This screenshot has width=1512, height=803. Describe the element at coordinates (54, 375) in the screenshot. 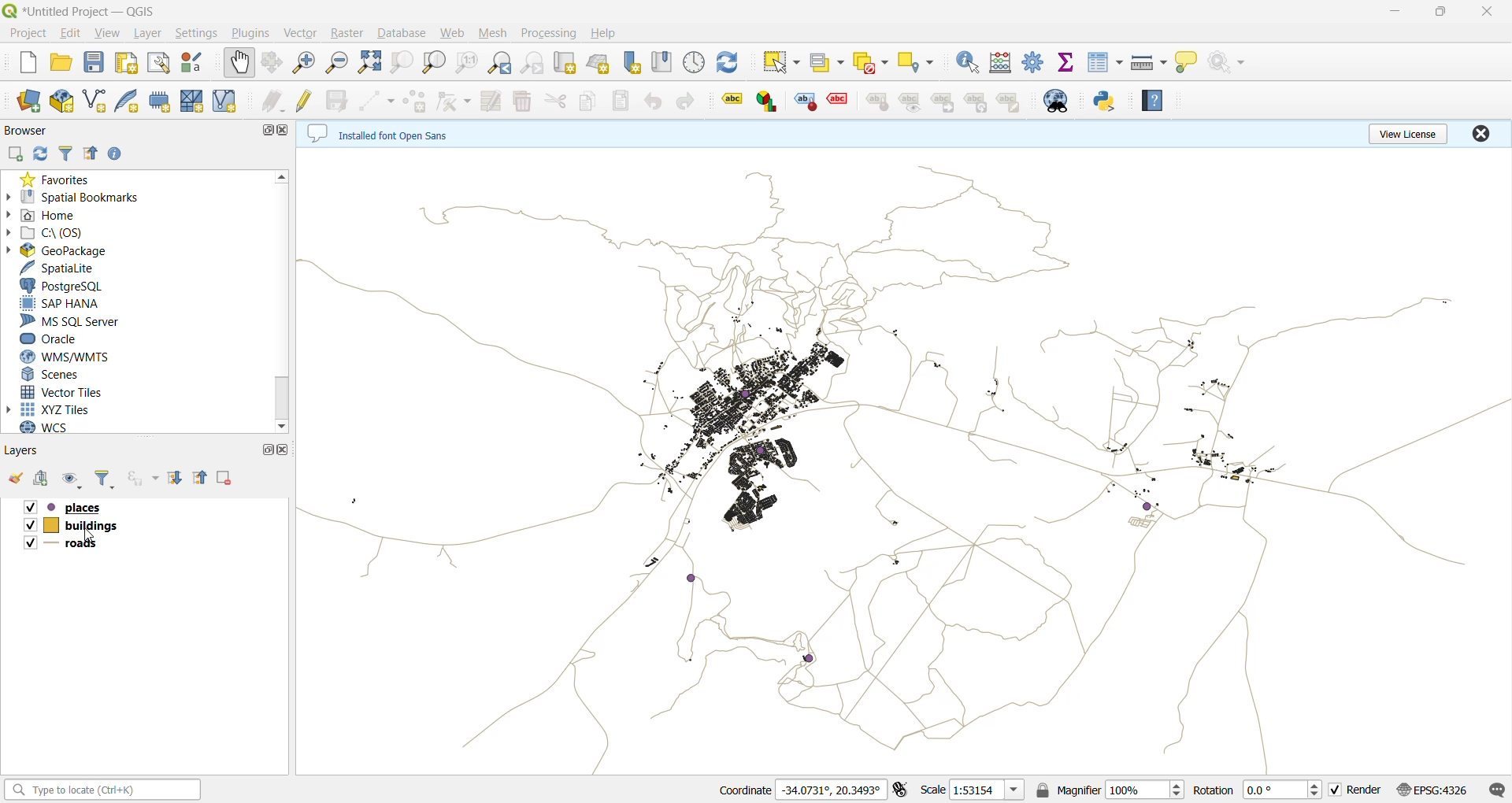

I see `scenes` at that location.